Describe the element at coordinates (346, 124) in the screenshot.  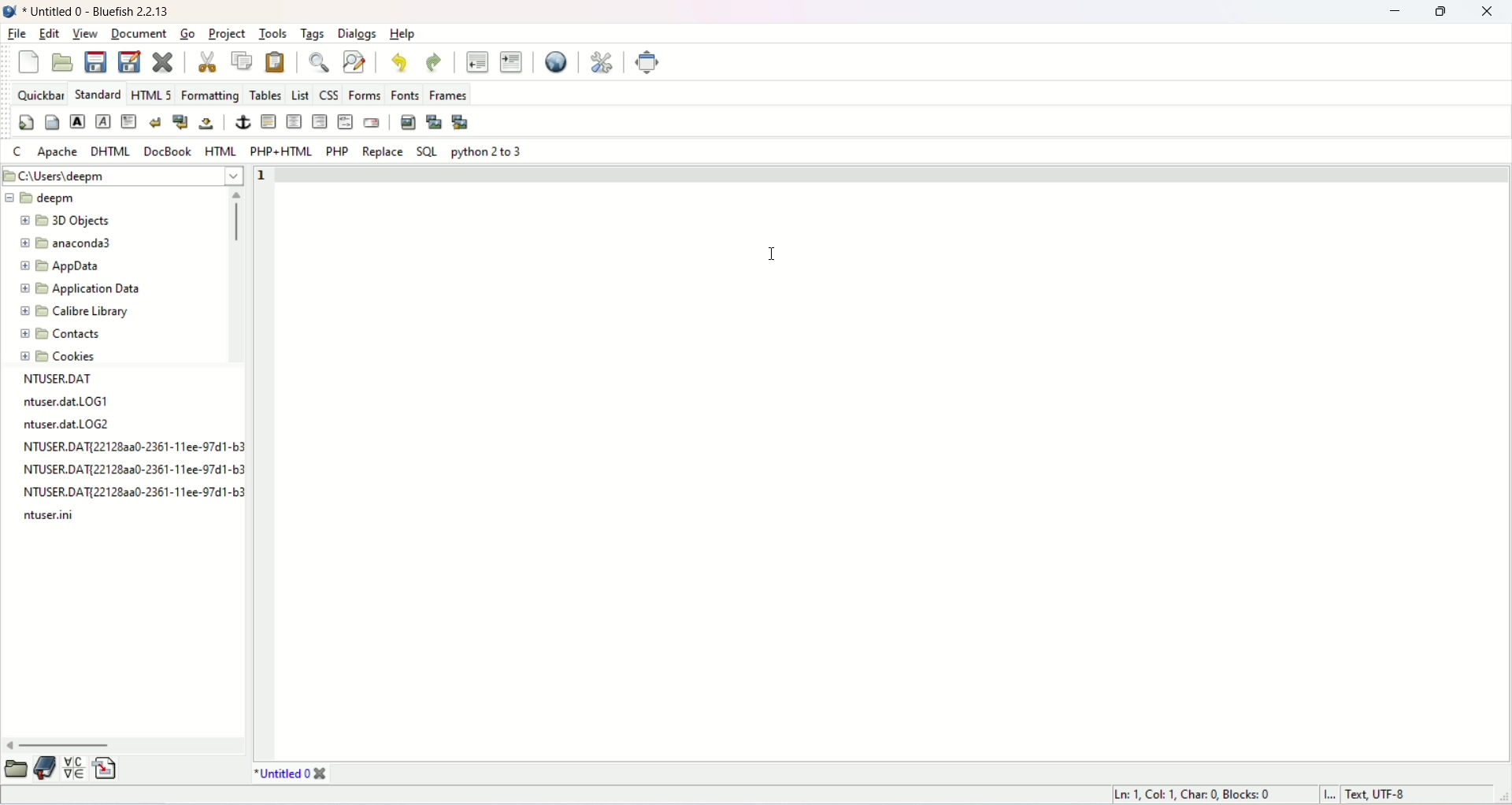
I see `HTML comment` at that location.